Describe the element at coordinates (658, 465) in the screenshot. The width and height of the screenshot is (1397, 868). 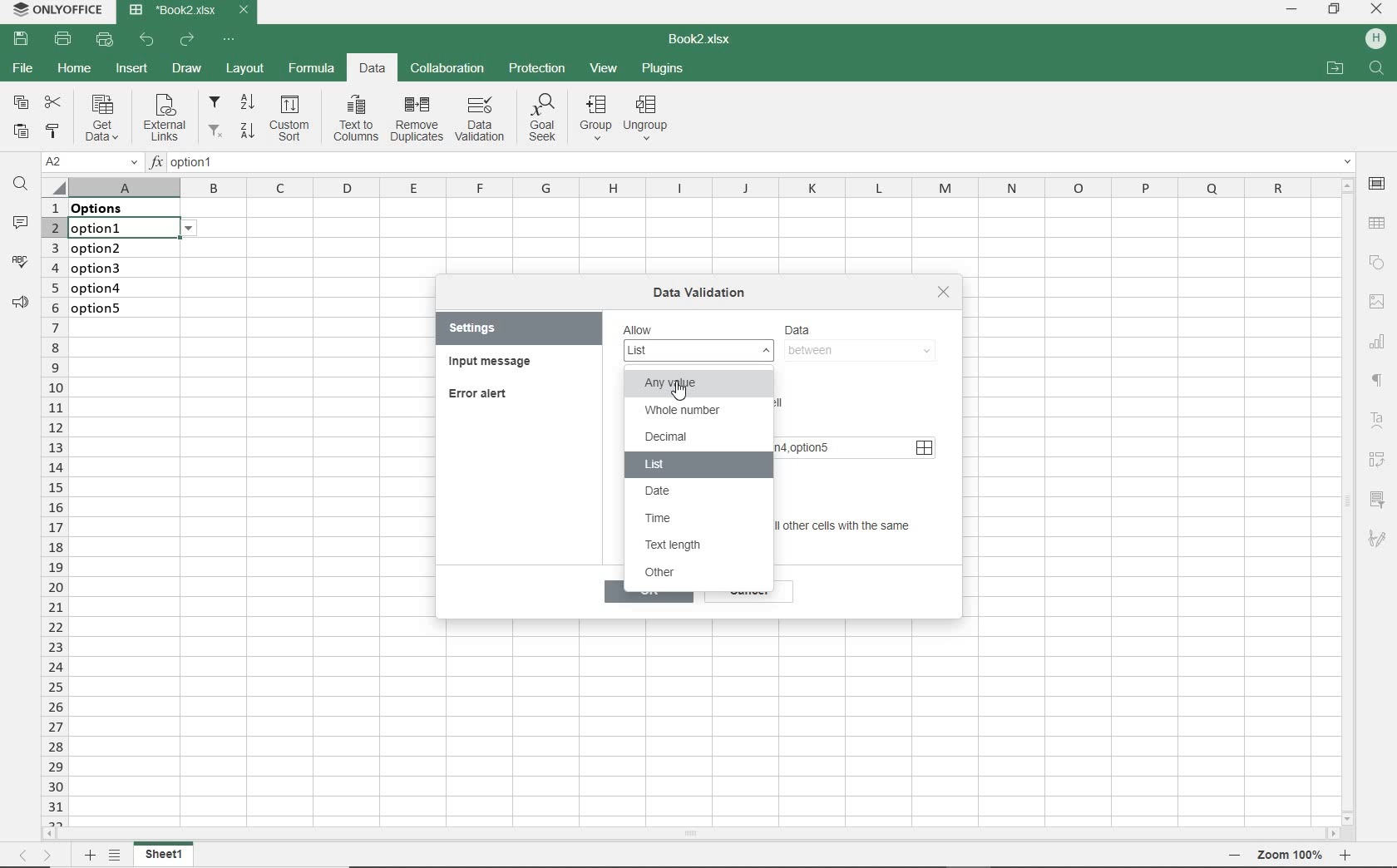
I see `list` at that location.